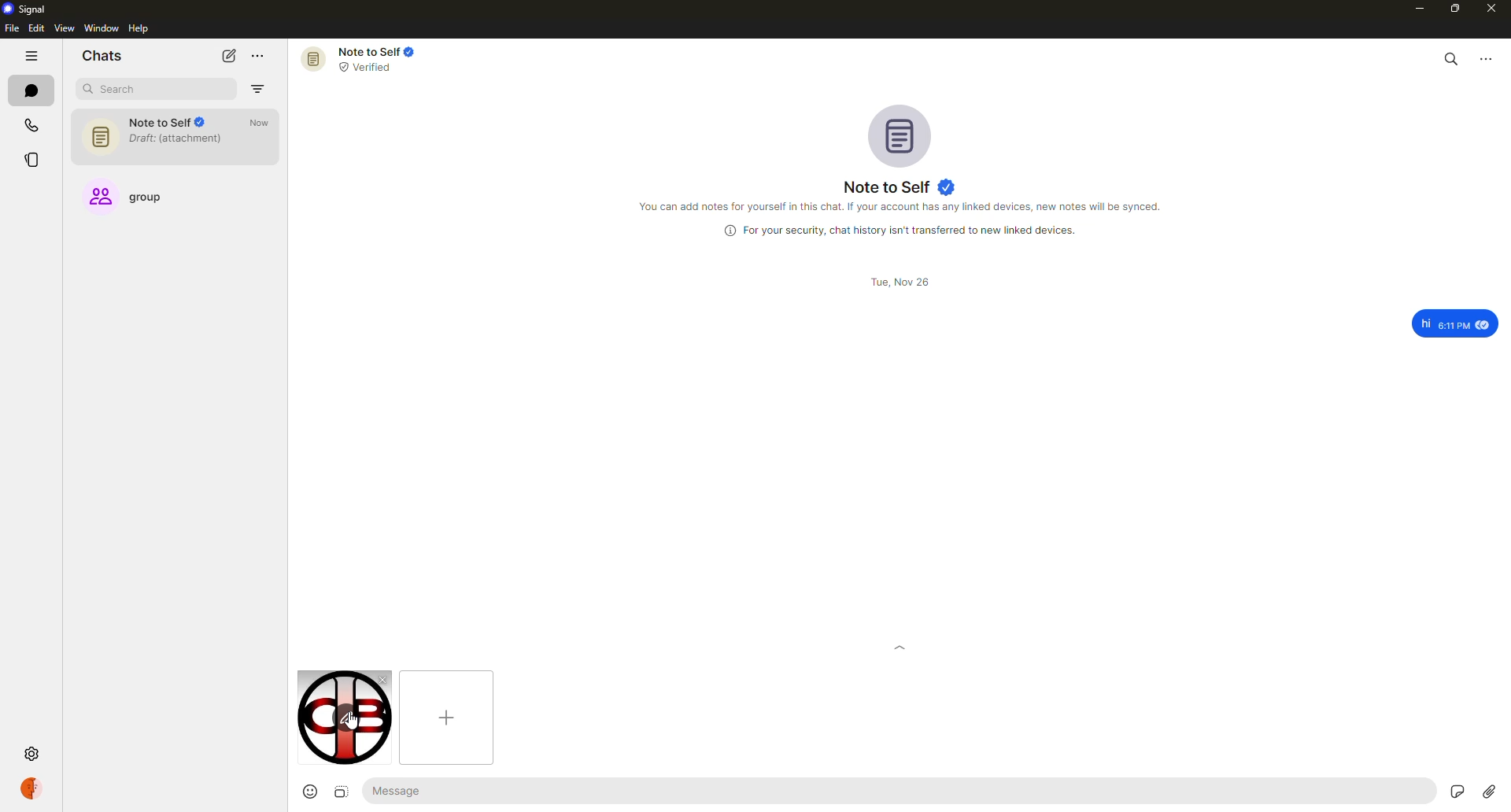  Describe the element at coordinates (36, 28) in the screenshot. I see `edit` at that location.